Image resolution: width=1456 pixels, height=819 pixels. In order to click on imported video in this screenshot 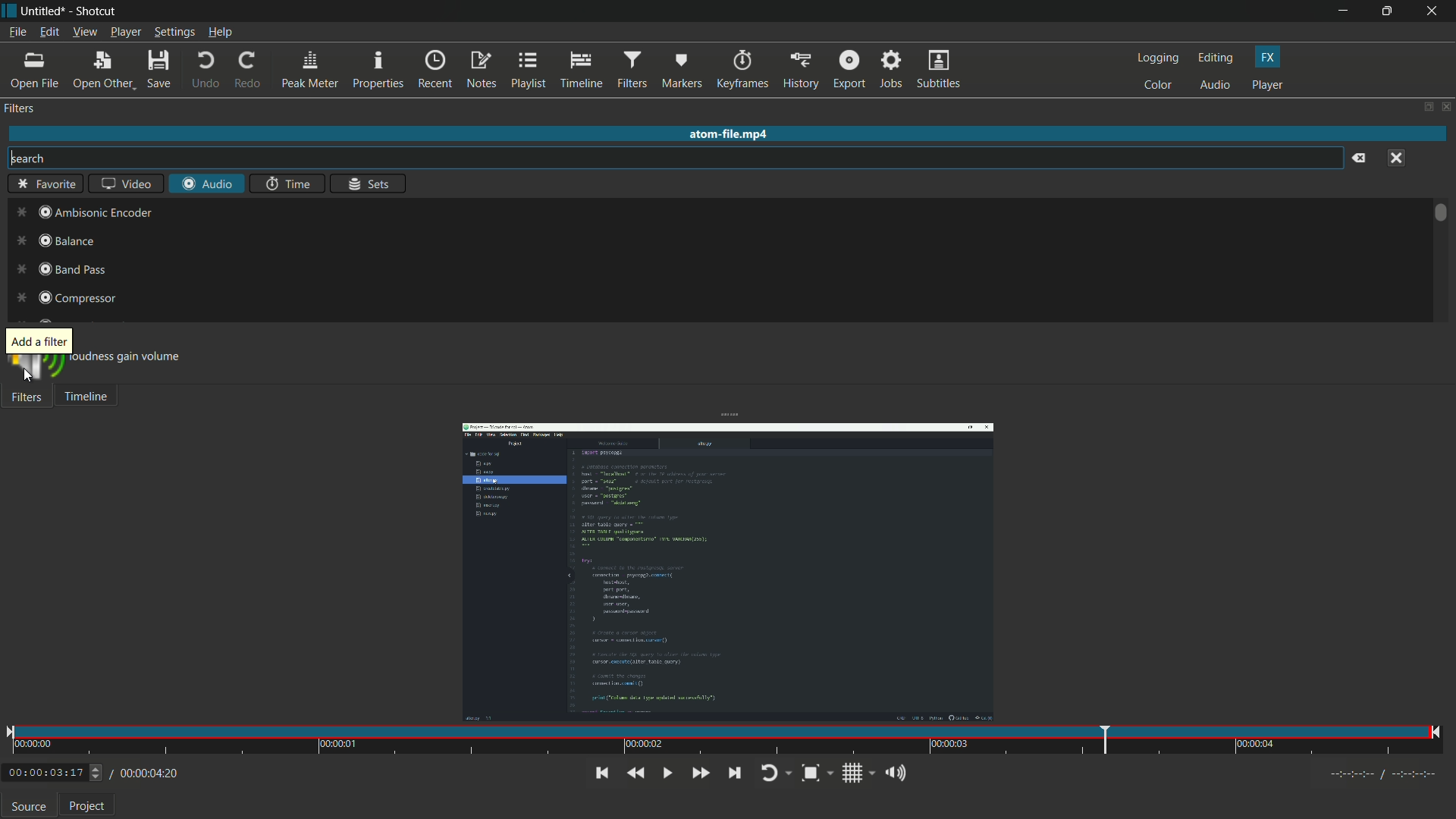, I will do `click(727, 573)`.